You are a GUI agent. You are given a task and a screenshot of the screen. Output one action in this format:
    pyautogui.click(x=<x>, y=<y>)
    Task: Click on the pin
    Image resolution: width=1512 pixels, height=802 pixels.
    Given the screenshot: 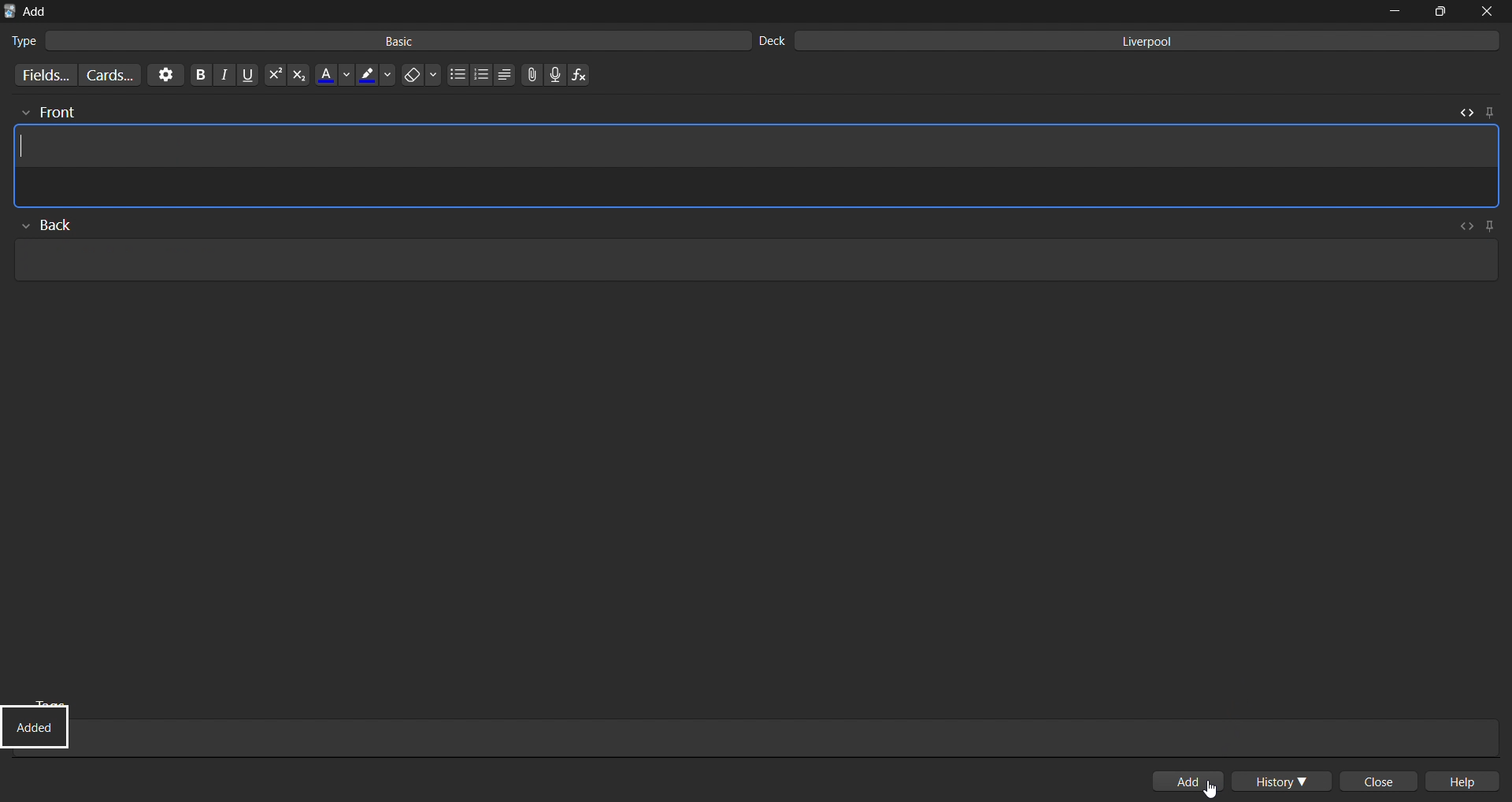 What is the action you would take?
    pyautogui.click(x=1489, y=111)
    